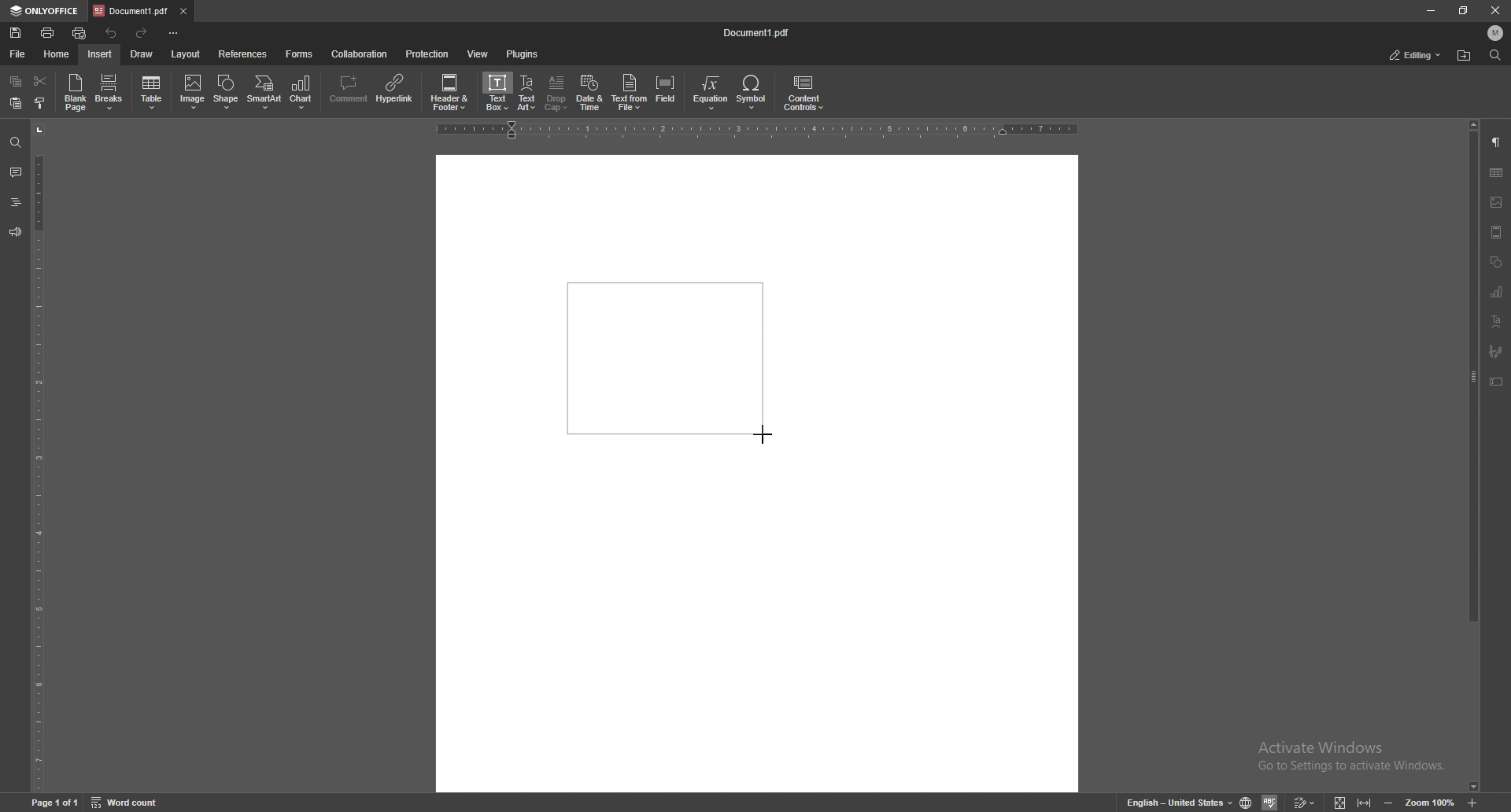 The width and height of the screenshot is (1511, 812). What do you see at coordinates (765, 435) in the screenshot?
I see `cursor` at bounding box center [765, 435].